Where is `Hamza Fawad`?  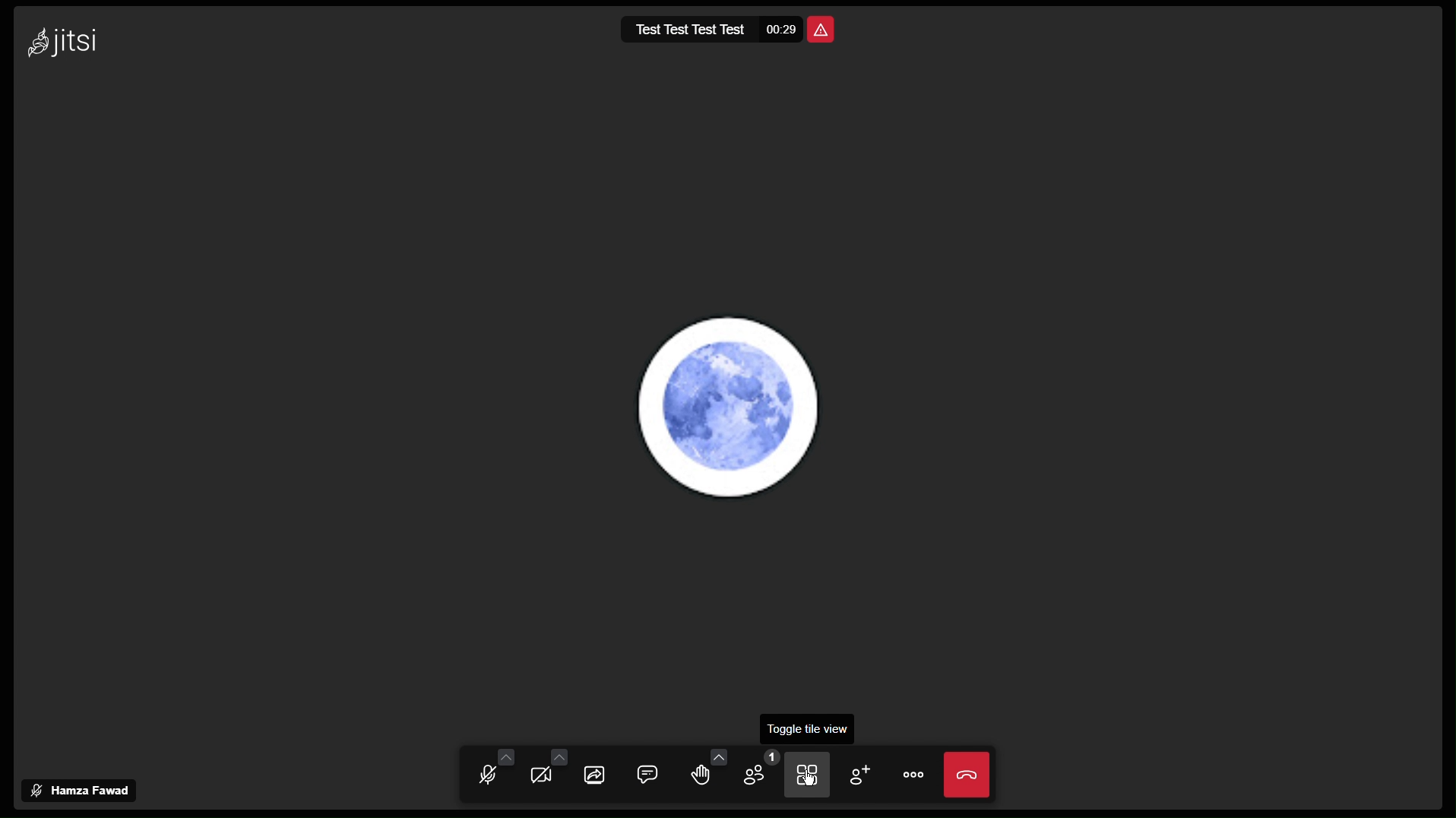 Hamza Fawad is located at coordinates (82, 789).